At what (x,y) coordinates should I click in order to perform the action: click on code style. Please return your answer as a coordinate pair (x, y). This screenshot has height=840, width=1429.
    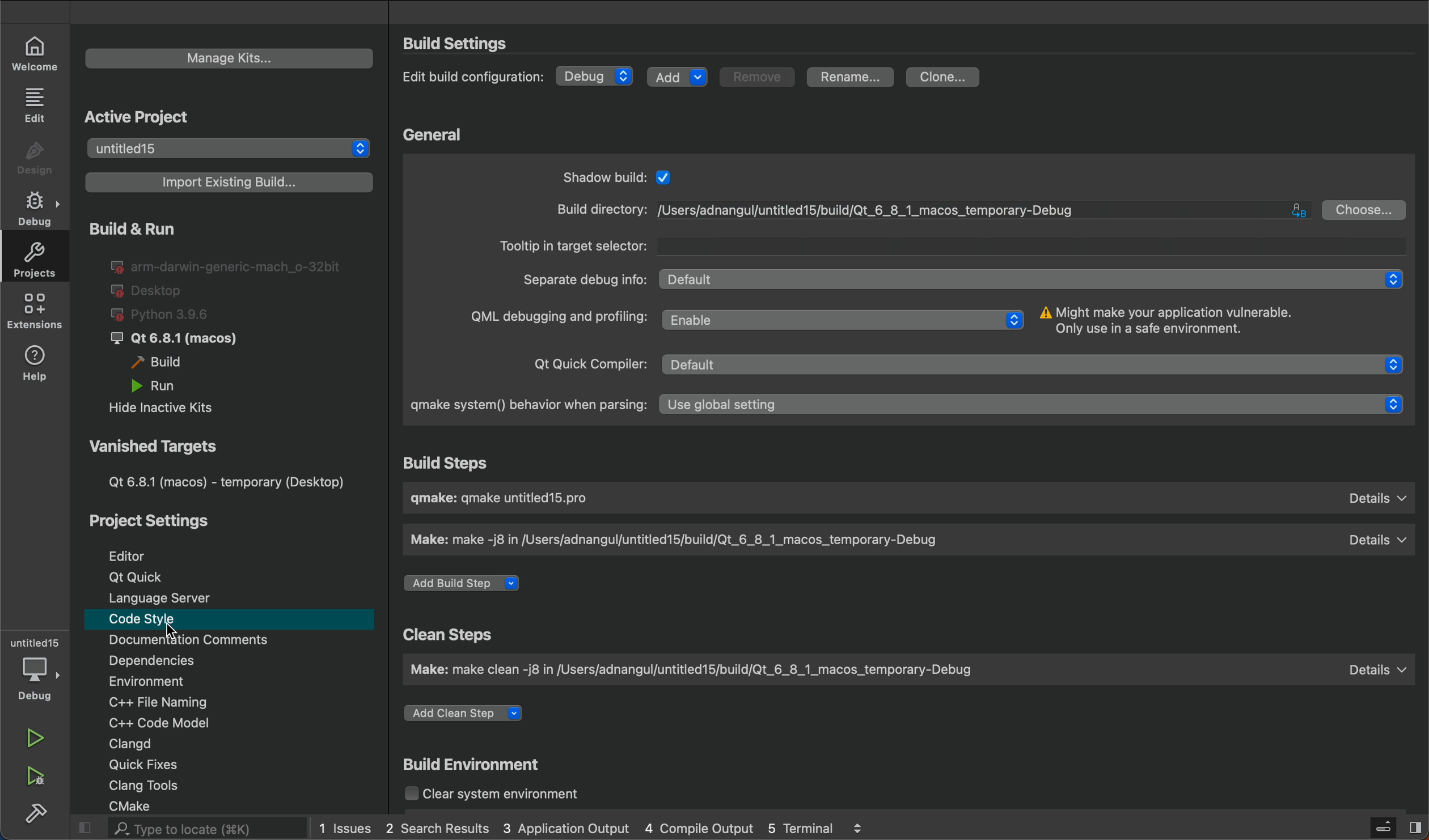
    Looking at the image, I should click on (154, 621).